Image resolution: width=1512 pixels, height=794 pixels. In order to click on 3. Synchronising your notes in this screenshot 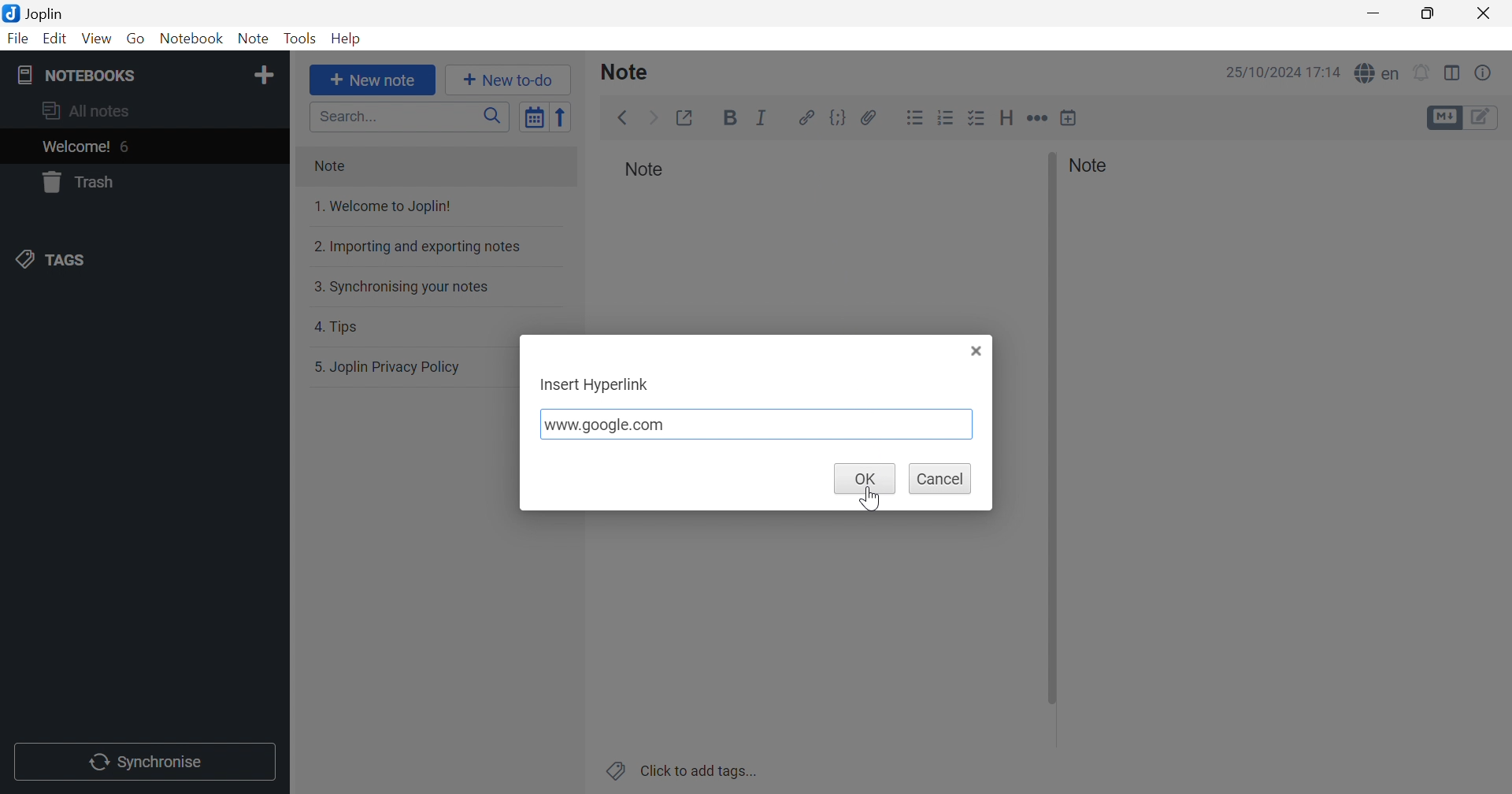, I will do `click(431, 286)`.